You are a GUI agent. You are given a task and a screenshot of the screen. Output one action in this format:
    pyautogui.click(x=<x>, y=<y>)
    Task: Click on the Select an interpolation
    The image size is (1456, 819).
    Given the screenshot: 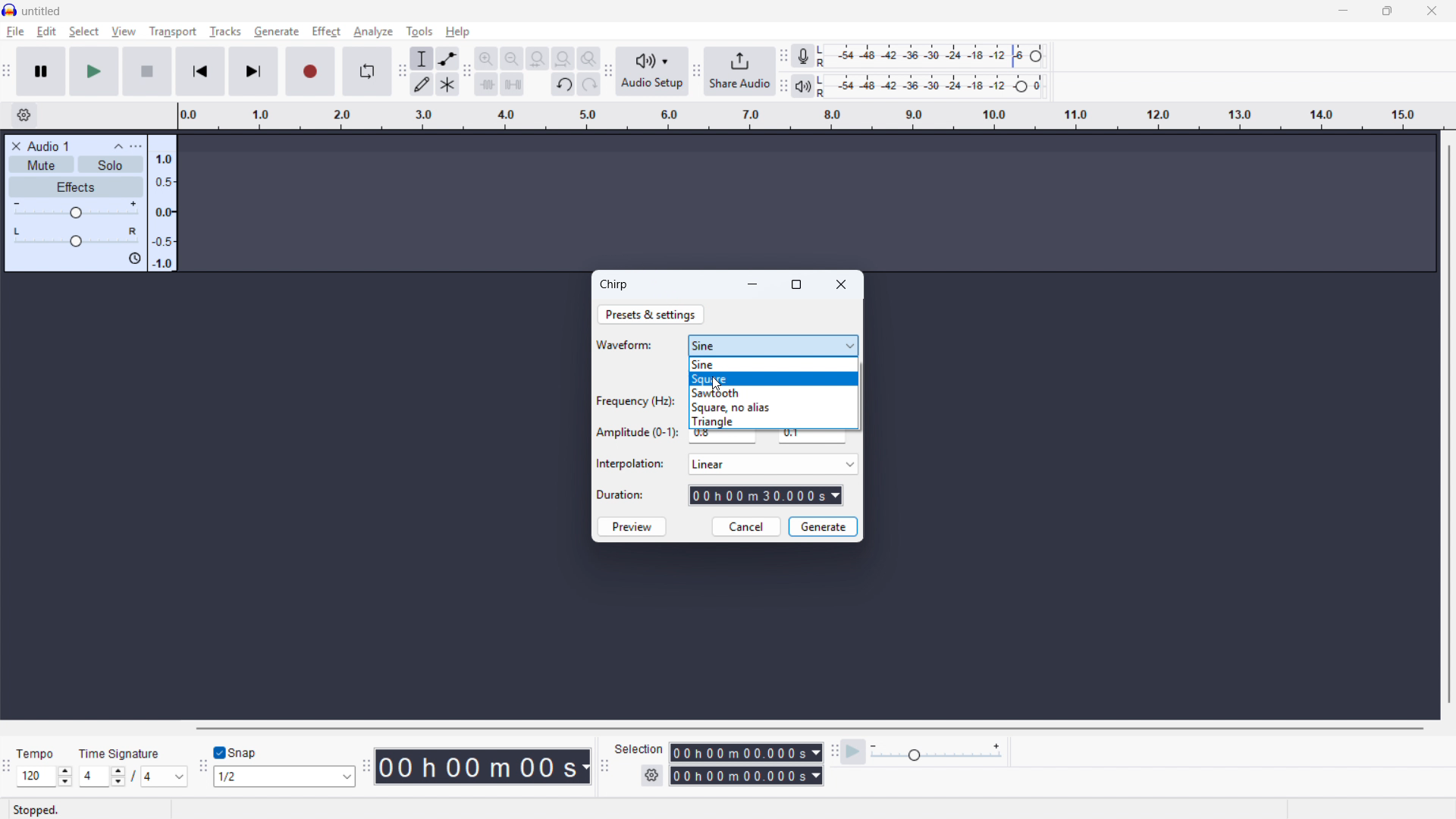 What is the action you would take?
    pyautogui.click(x=772, y=463)
    